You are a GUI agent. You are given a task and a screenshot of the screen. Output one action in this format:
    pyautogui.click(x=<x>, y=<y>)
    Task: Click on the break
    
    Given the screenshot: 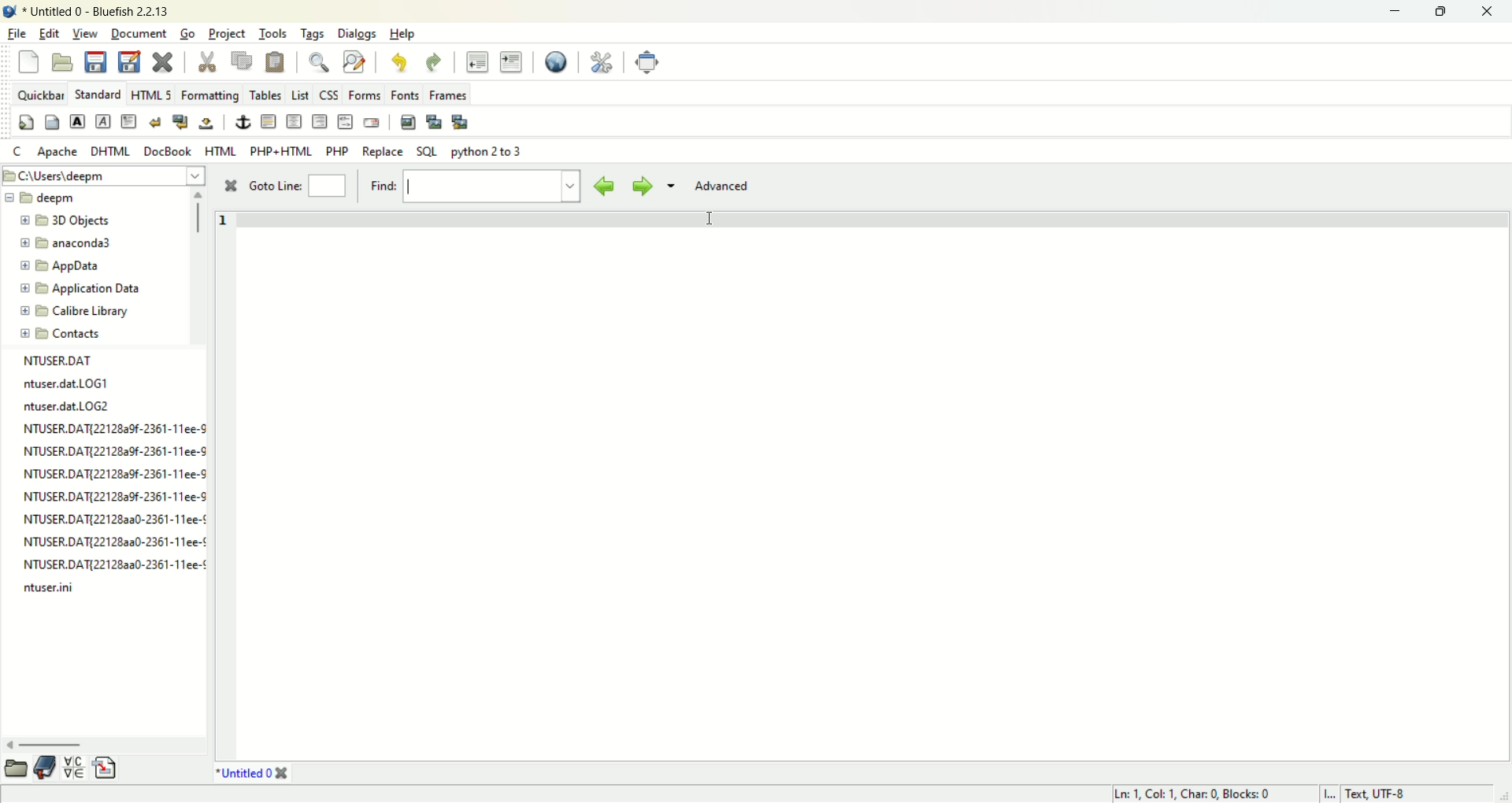 What is the action you would take?
    pyautogui.click(x=157, y=123)
    